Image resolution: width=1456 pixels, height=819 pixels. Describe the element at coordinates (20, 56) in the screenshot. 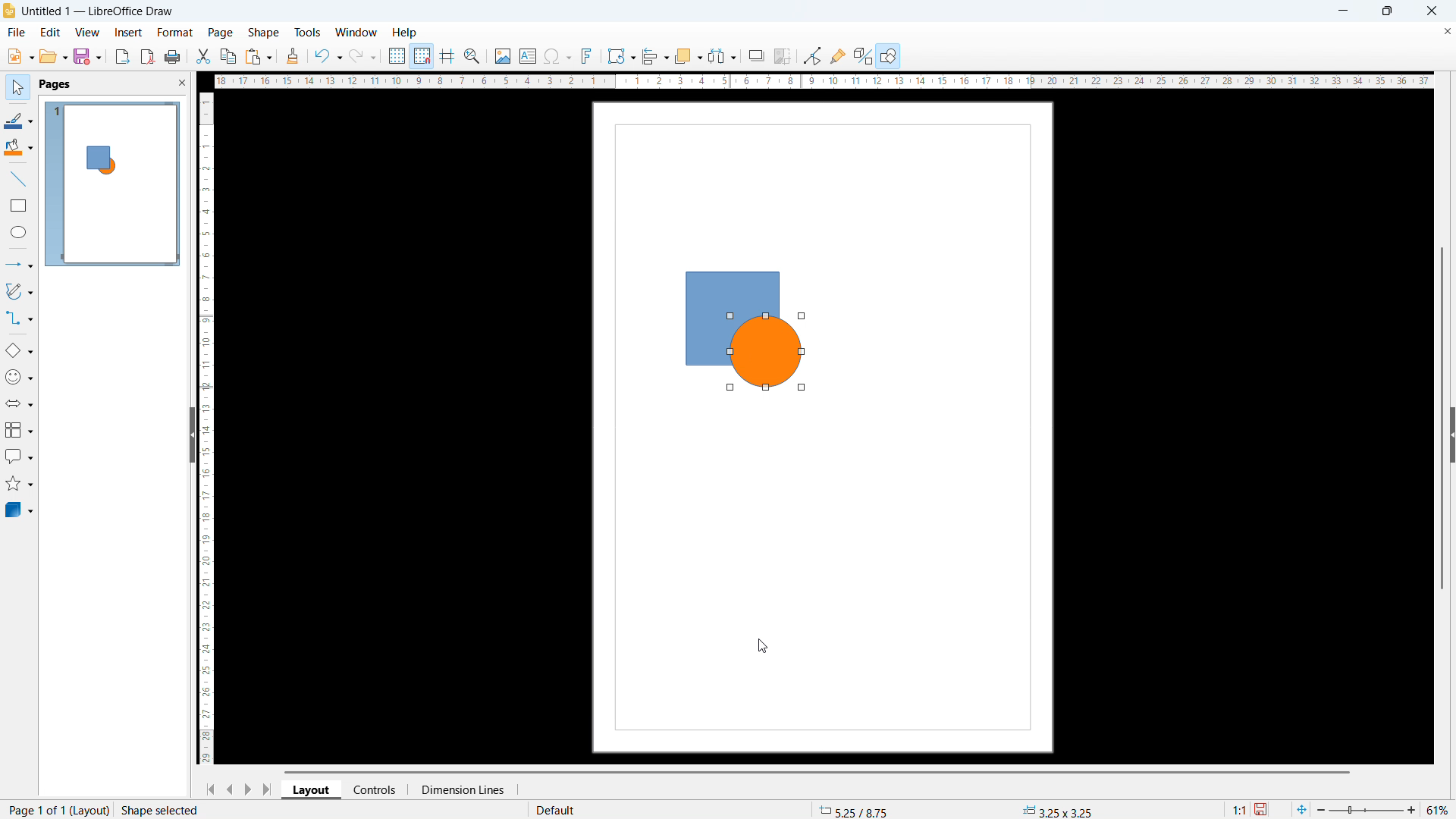

I see `new` at that location.